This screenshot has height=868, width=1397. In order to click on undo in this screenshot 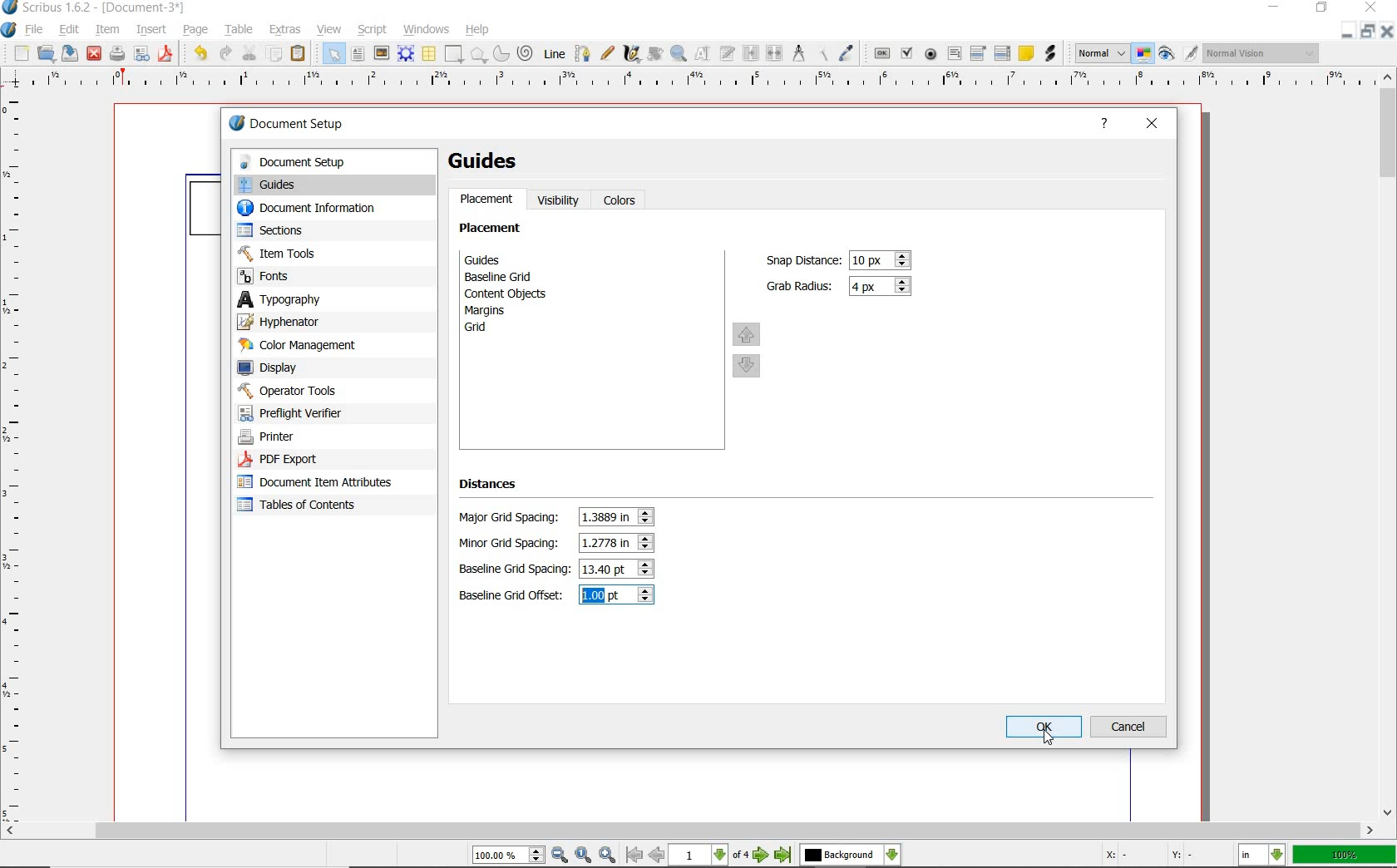, I will do `click(198, 54)`.